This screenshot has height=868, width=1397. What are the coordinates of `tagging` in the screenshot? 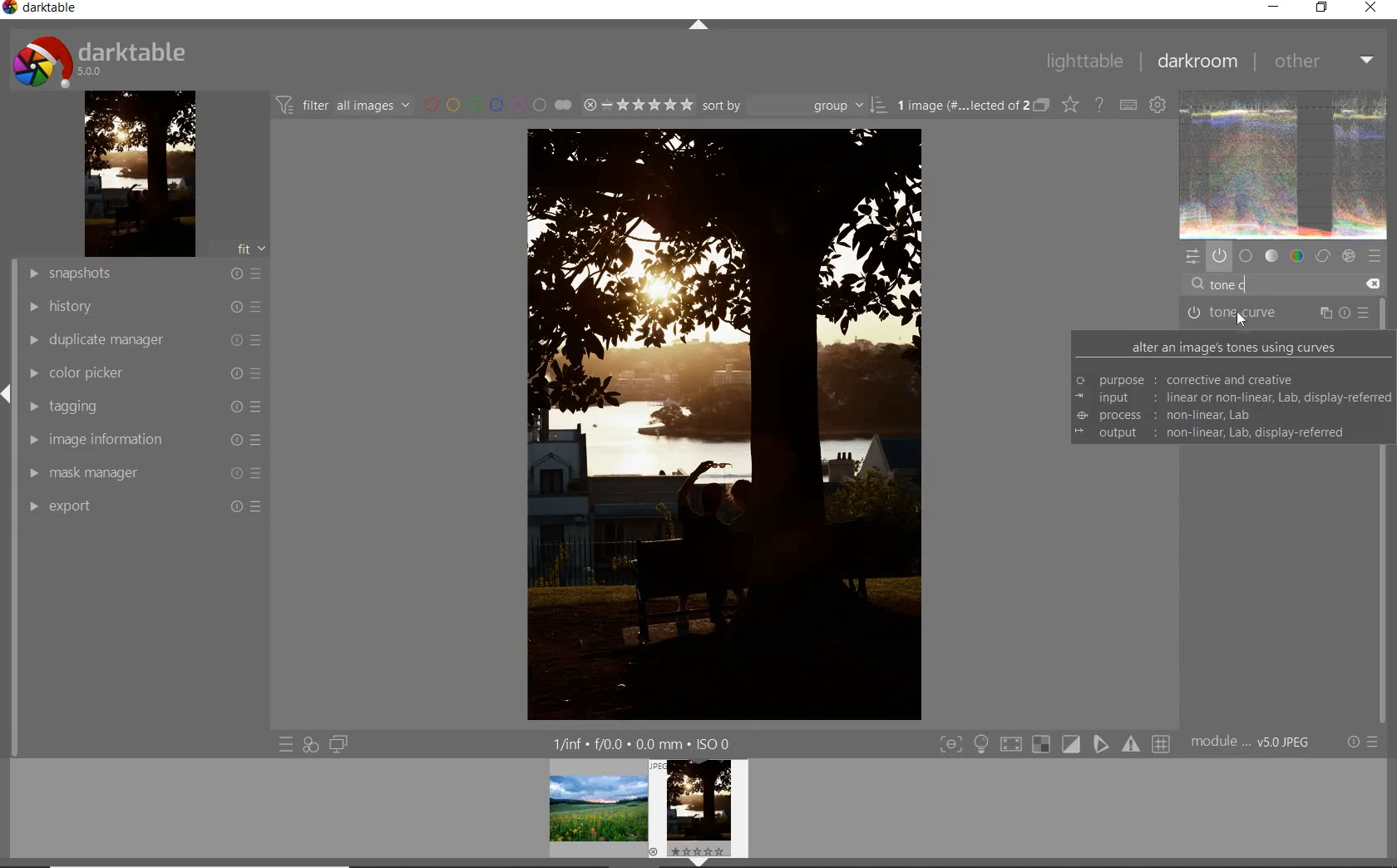 It's located at (141, 405).